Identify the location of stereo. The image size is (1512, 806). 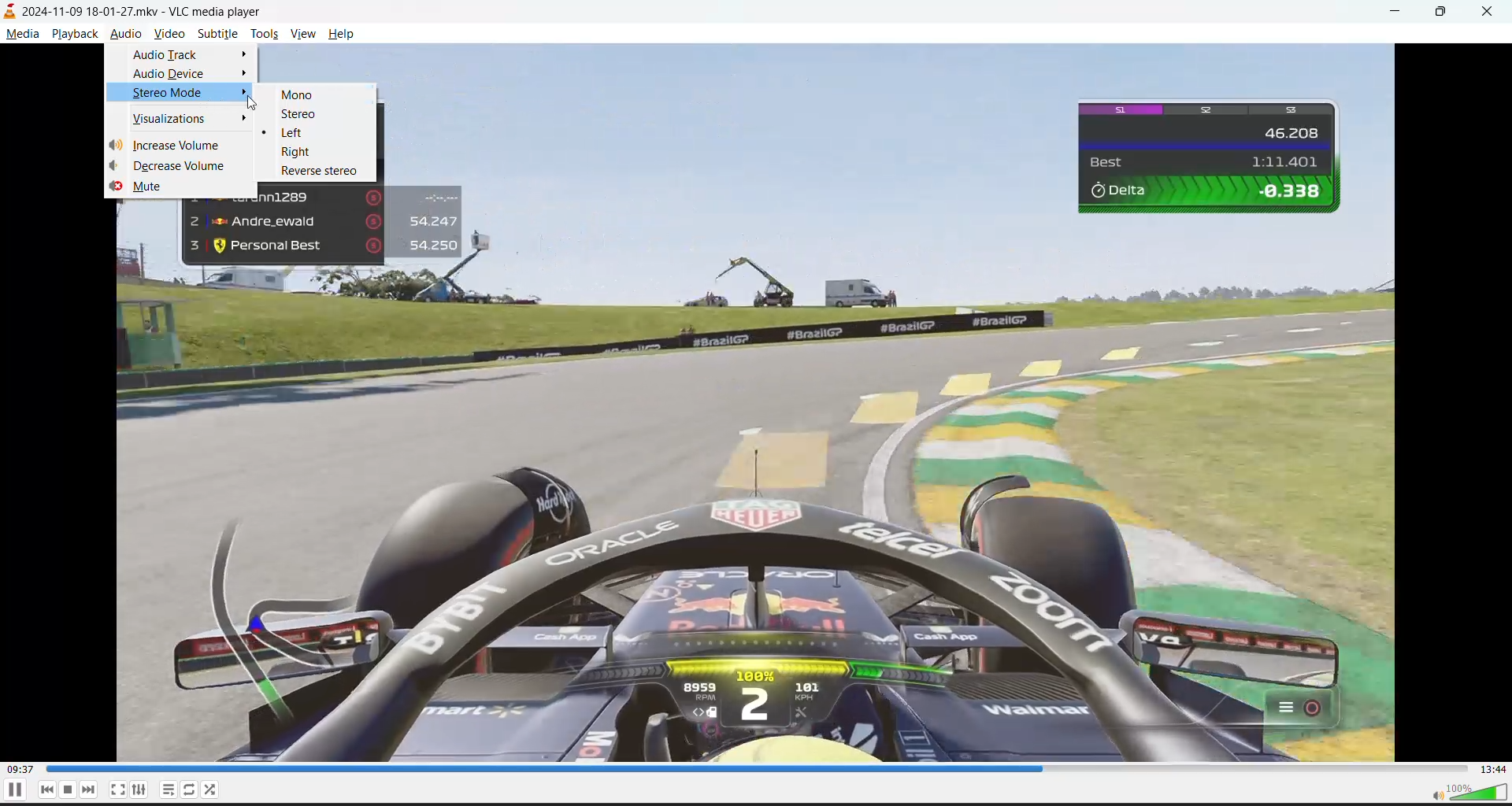
(300, 116).